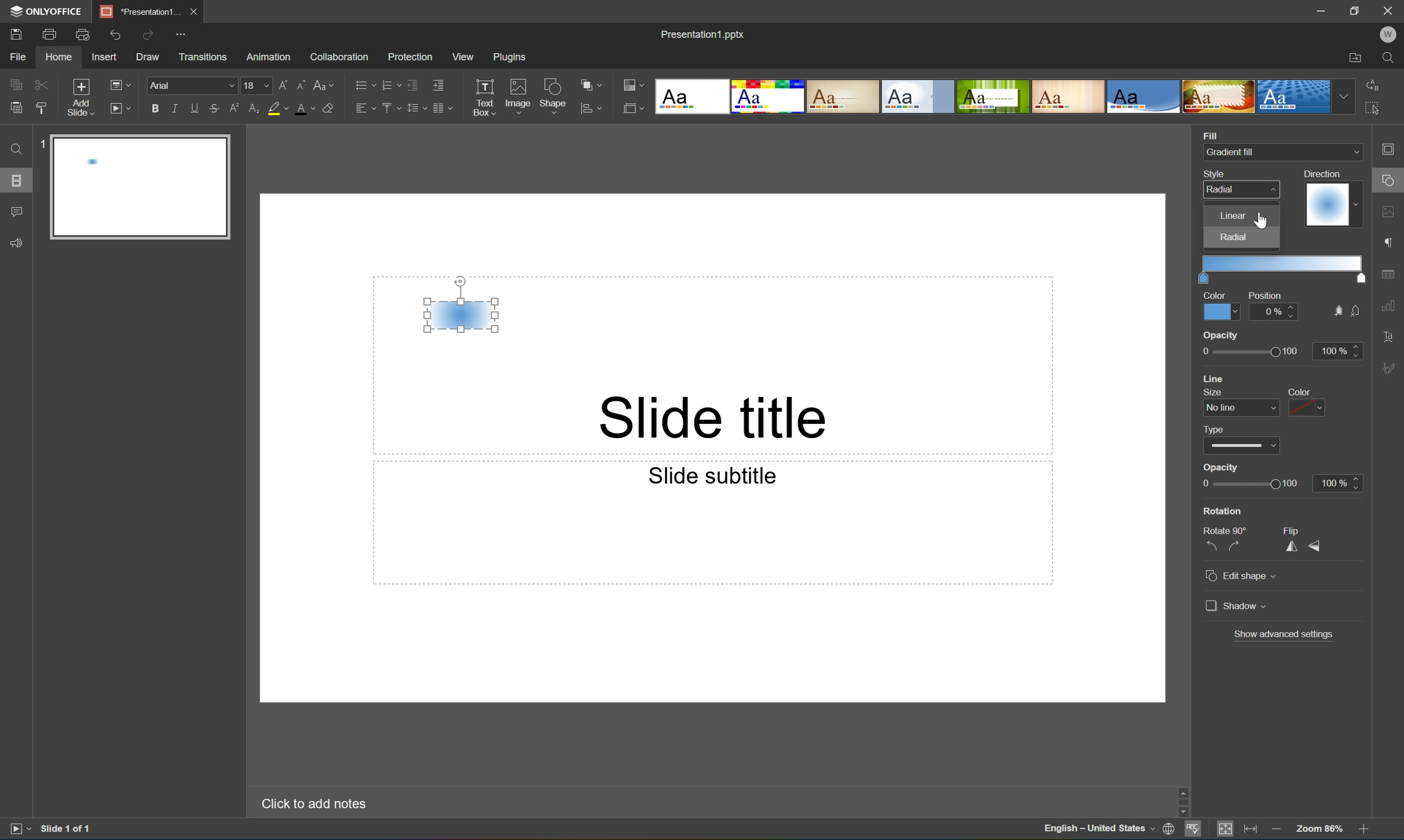  I want to click on Color, so click(1215, 294).